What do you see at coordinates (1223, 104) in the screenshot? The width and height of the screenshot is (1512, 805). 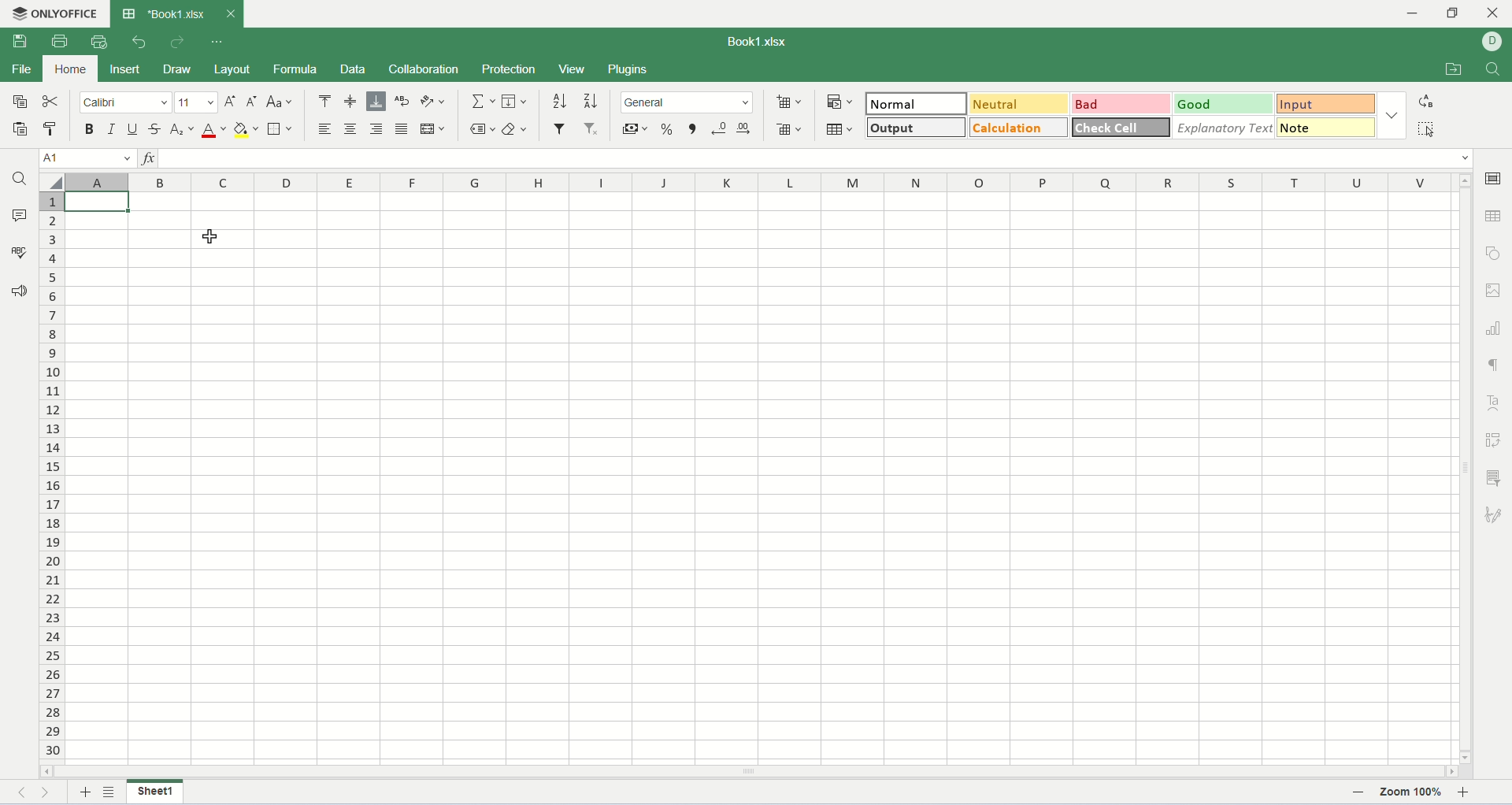 I see `good` at bounding box center [1223, 104].